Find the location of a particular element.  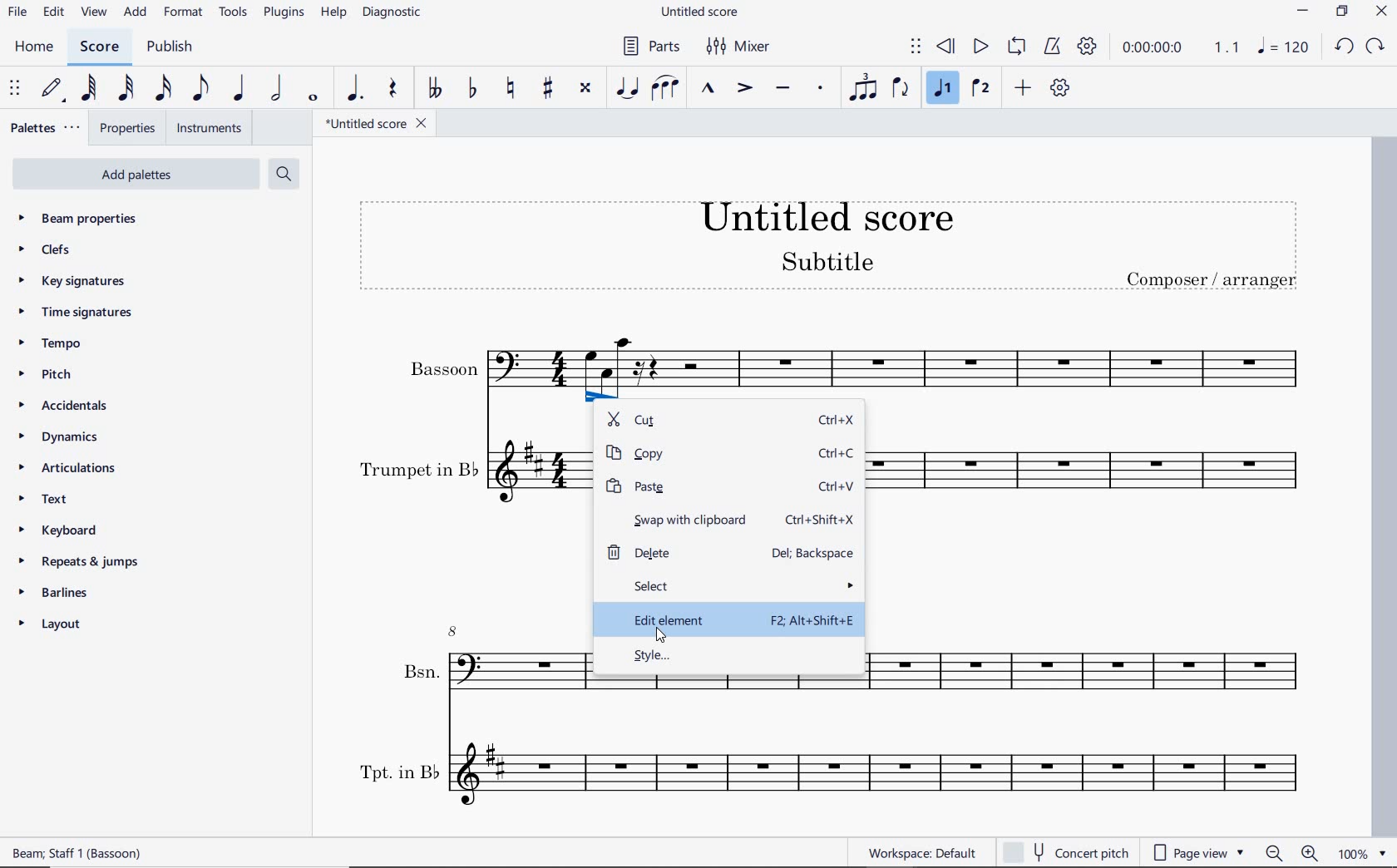

select is located at coordinates (743, 586).